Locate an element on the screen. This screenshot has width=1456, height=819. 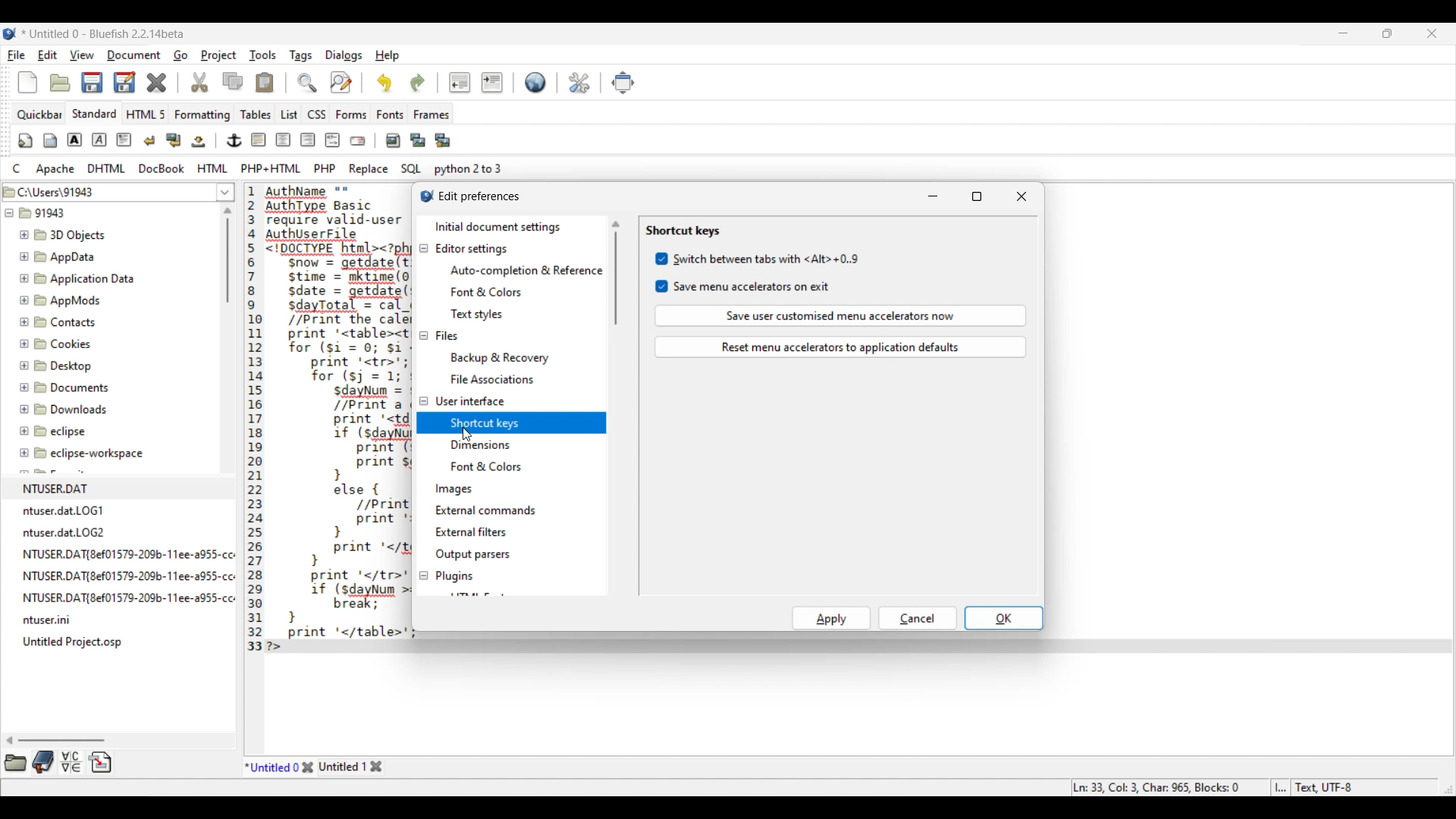
Window title is located at coordinates (479, 197).